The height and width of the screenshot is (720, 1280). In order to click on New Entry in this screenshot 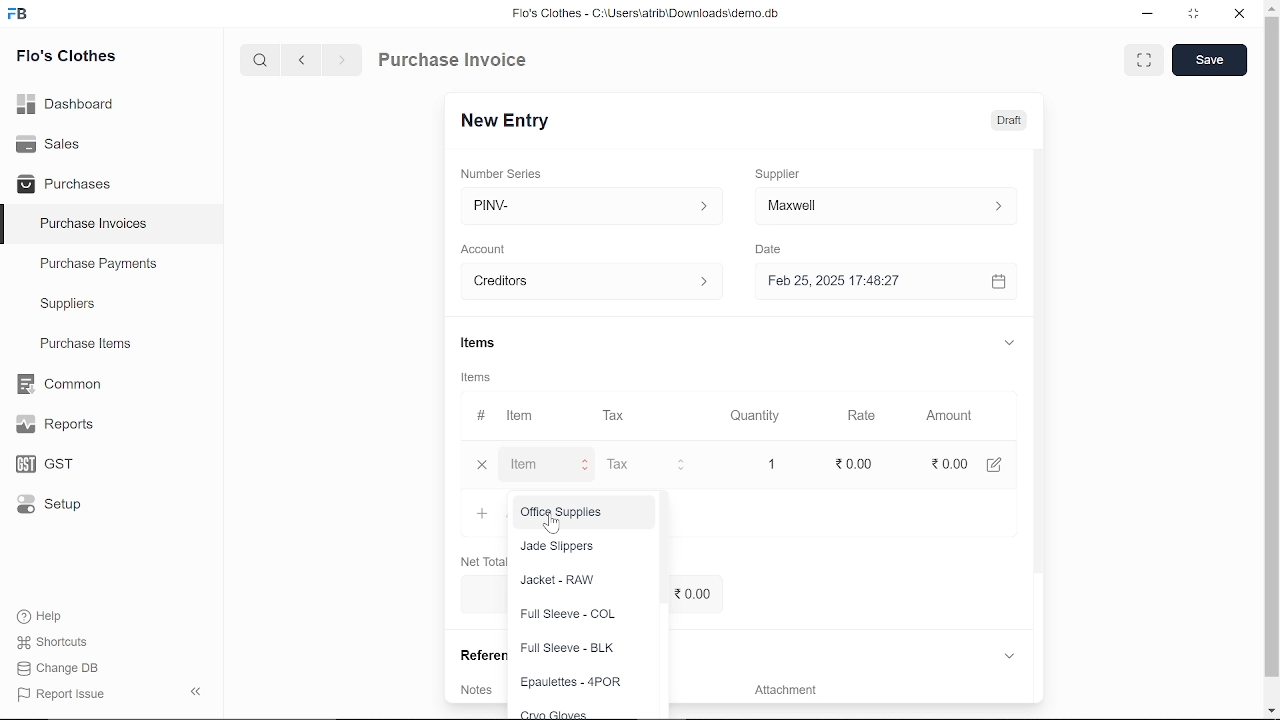, I will do `click(508, 119)`.